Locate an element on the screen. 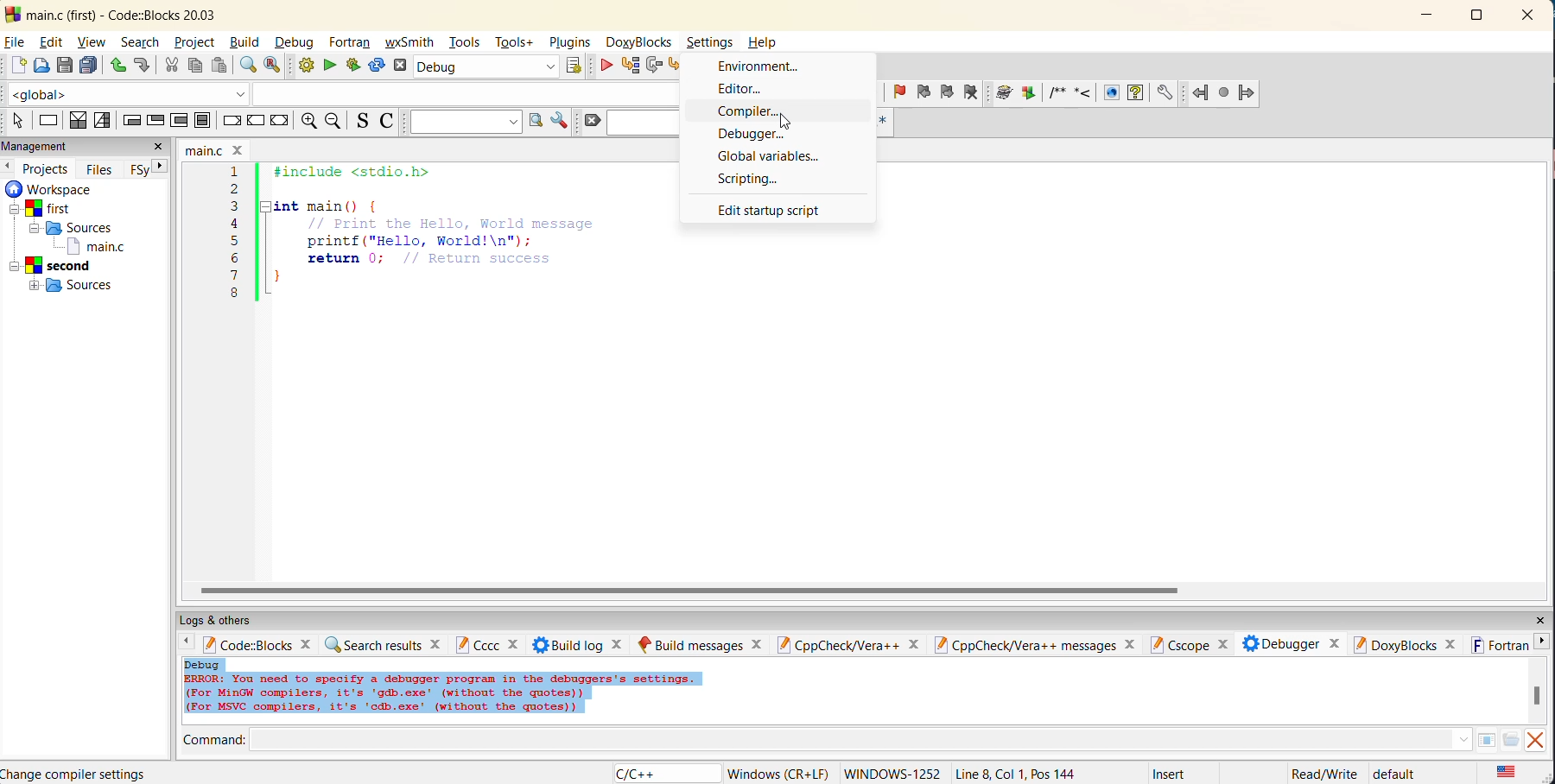  close is located at coordinates (1536, 620).